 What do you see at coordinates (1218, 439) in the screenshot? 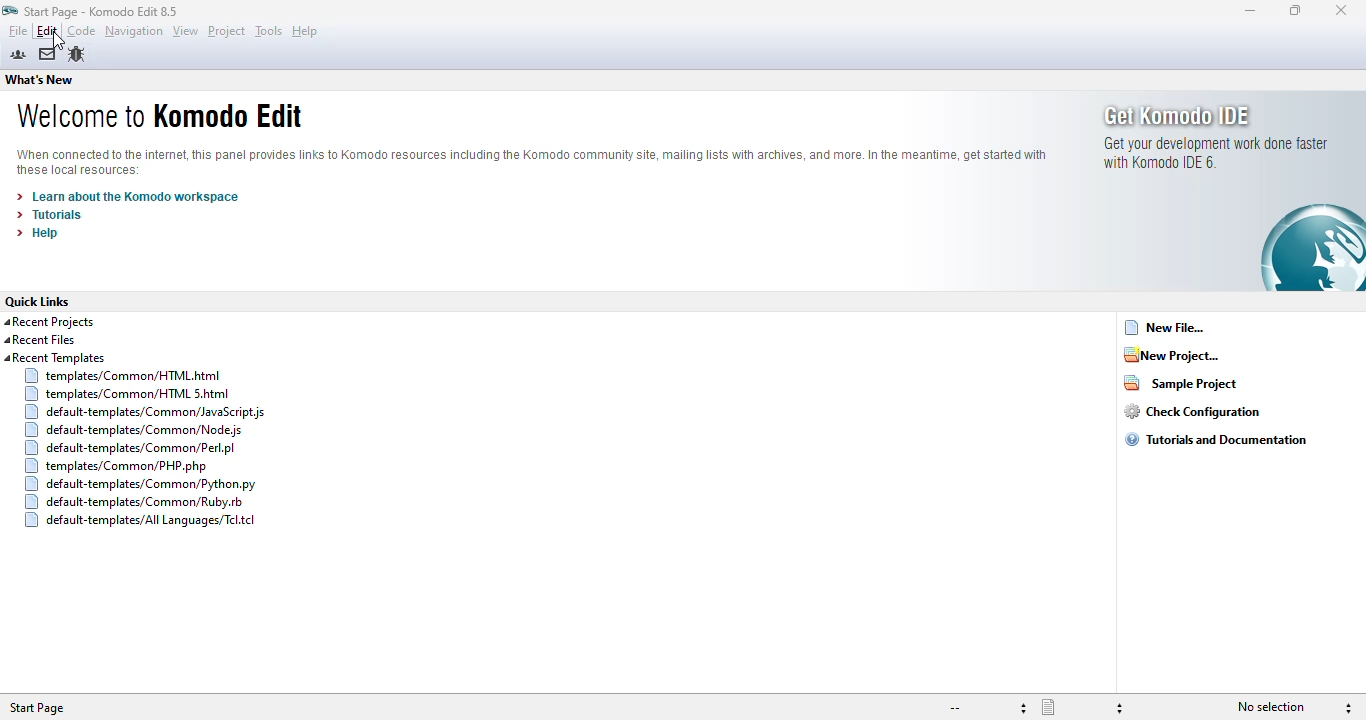
I see `tutorials and documentation` at bounding box center [1218, 439].